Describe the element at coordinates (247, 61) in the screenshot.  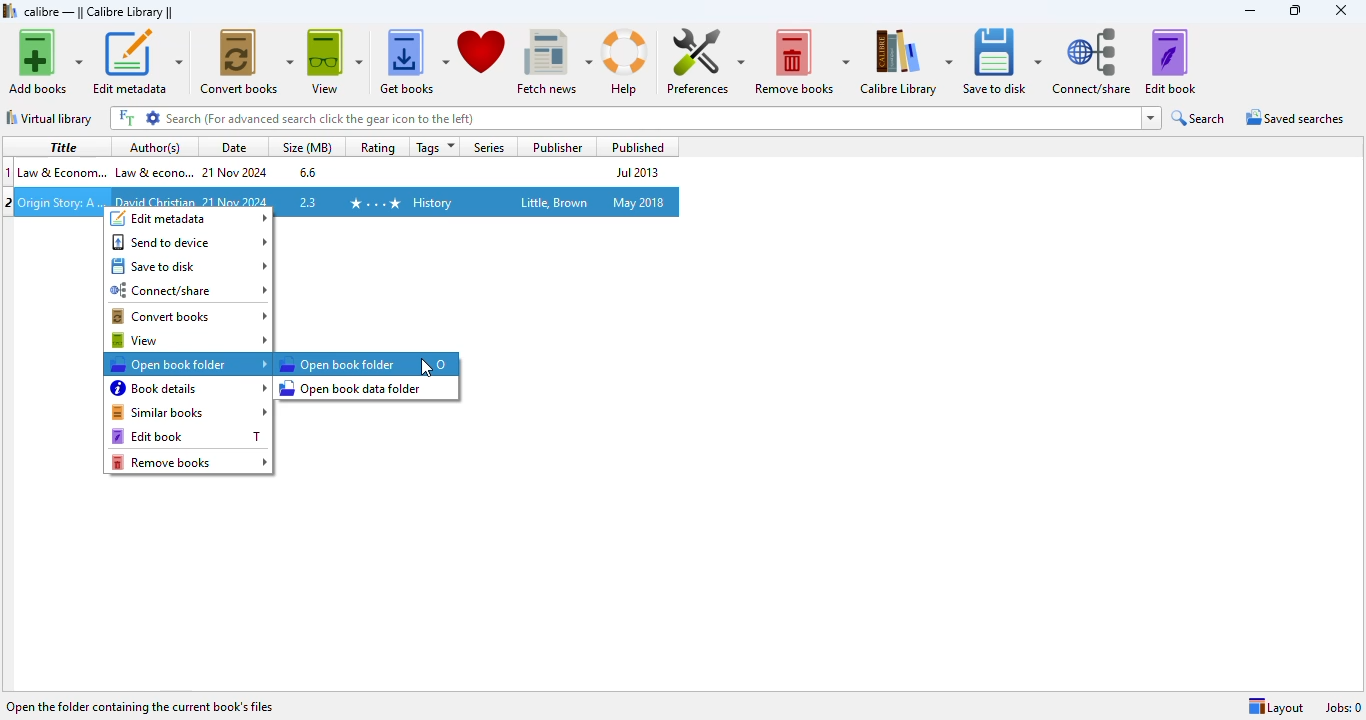
I see `convert books` at that location.